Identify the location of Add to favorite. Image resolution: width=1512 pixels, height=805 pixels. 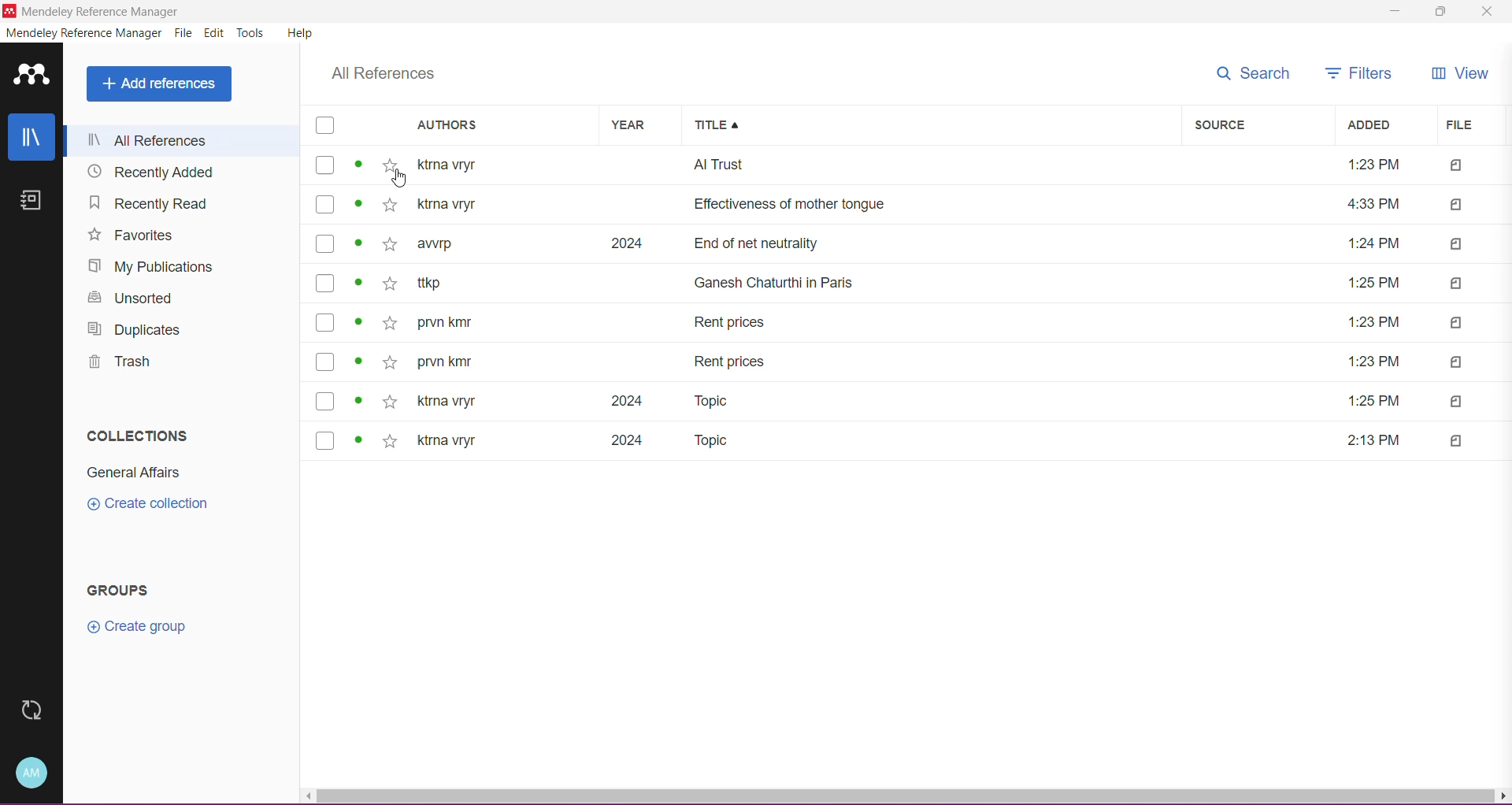
(390, 442).